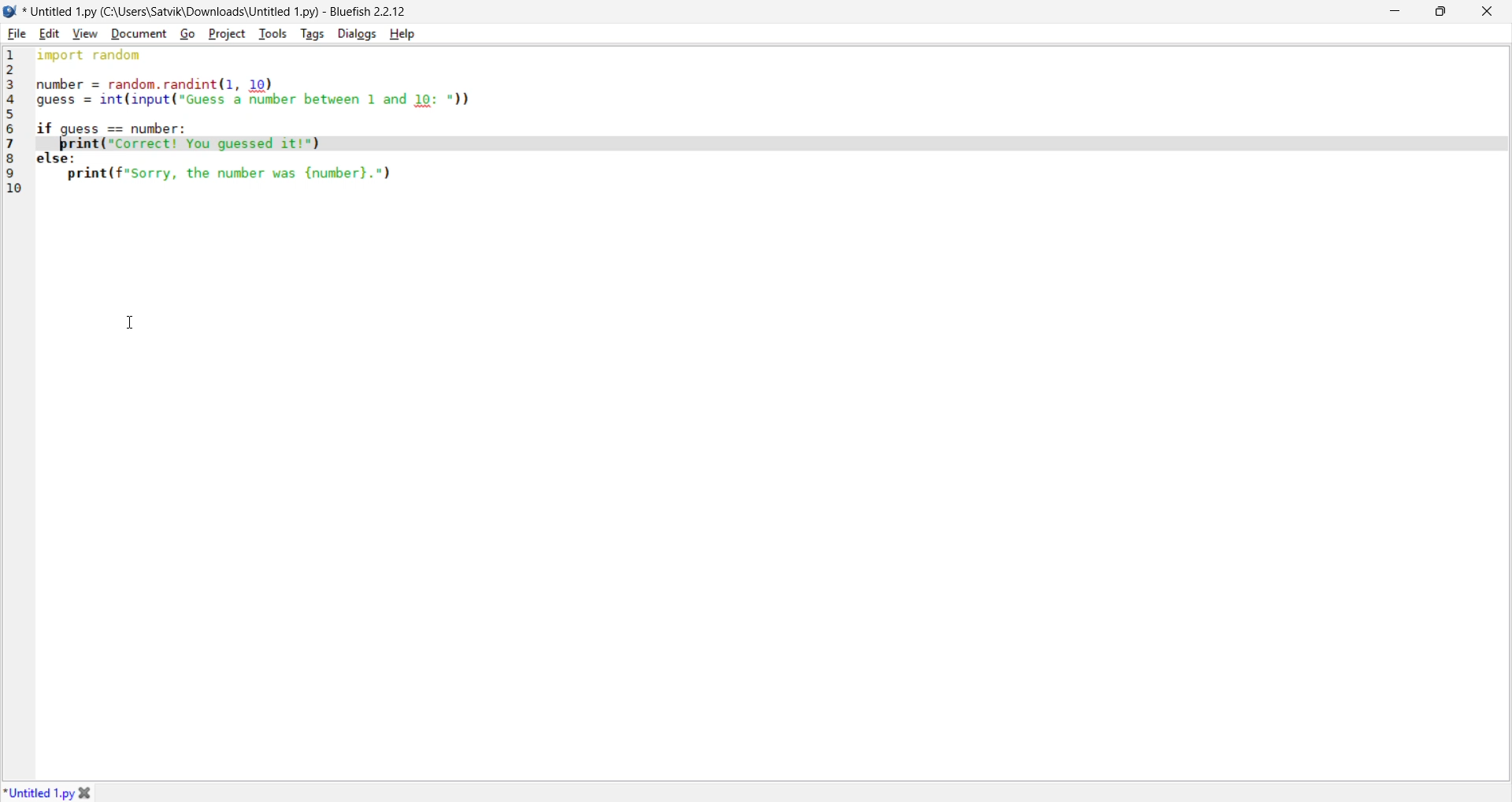  What do you see at coordinates (87, 33) in the screenshot?
I see `view` at bounding box center [87, 33].